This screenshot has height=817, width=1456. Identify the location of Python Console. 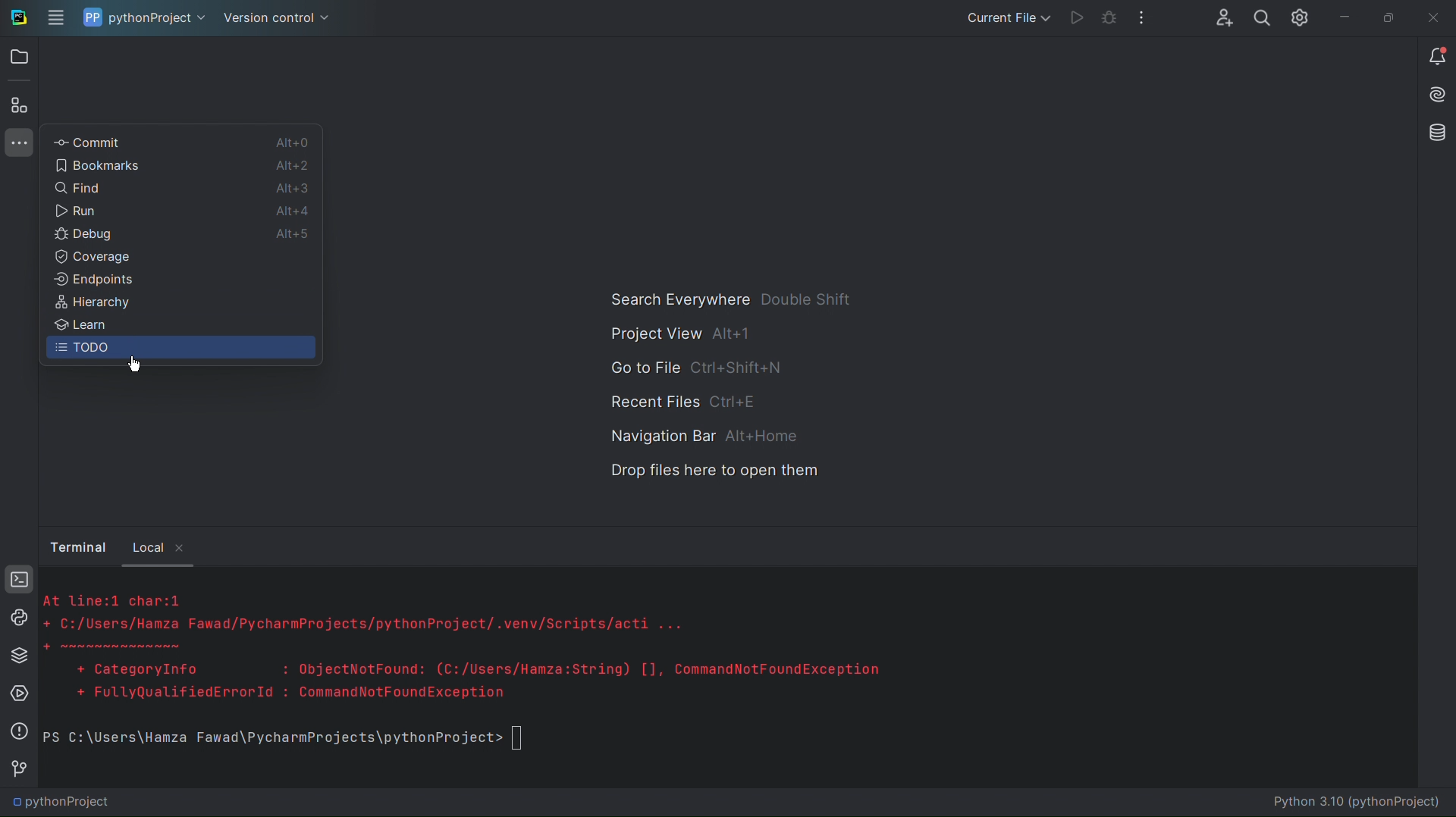
(18, 618).